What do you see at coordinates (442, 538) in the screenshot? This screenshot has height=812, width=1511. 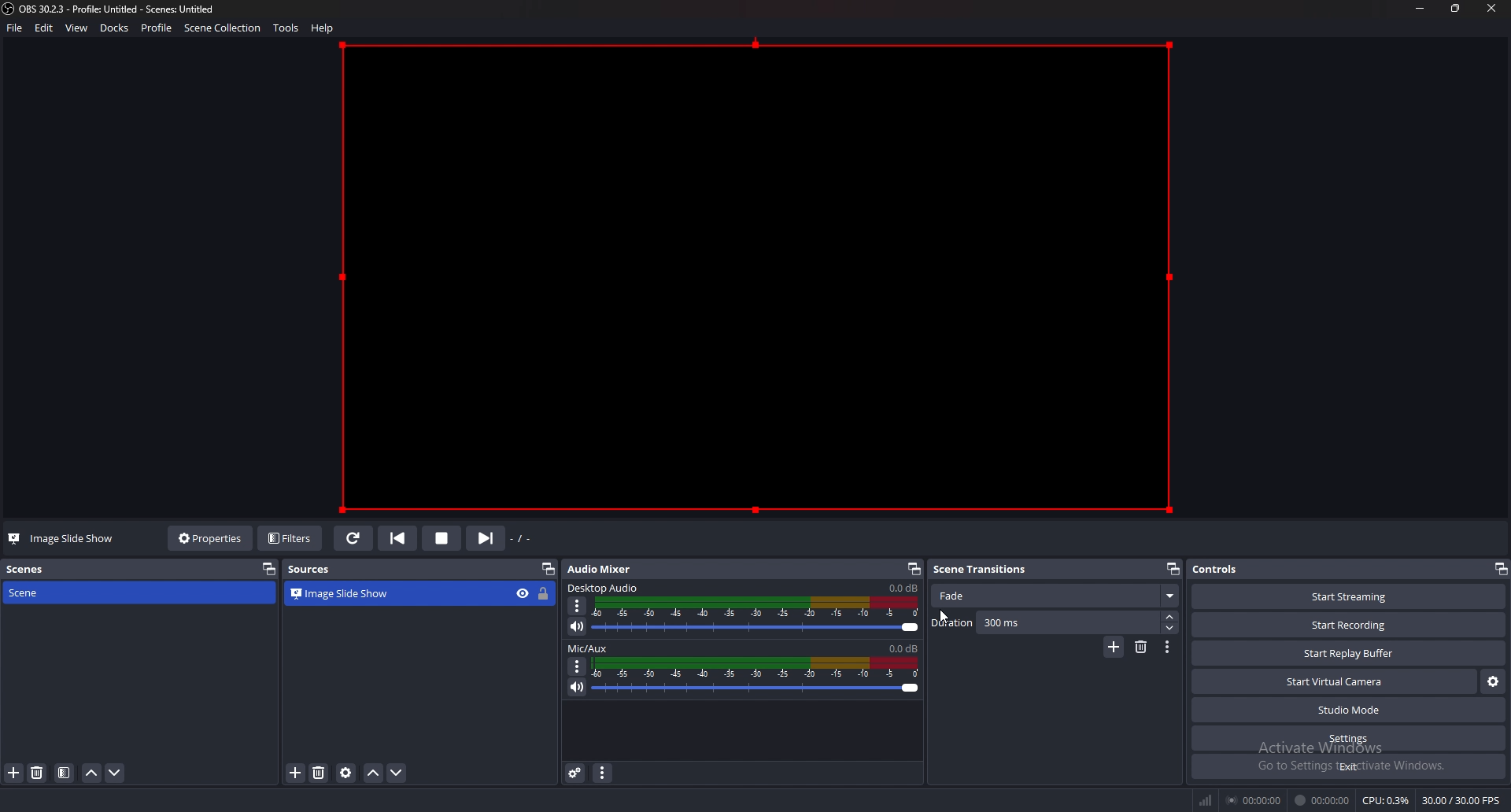 I see `stop` at bounding box center [442, 538].